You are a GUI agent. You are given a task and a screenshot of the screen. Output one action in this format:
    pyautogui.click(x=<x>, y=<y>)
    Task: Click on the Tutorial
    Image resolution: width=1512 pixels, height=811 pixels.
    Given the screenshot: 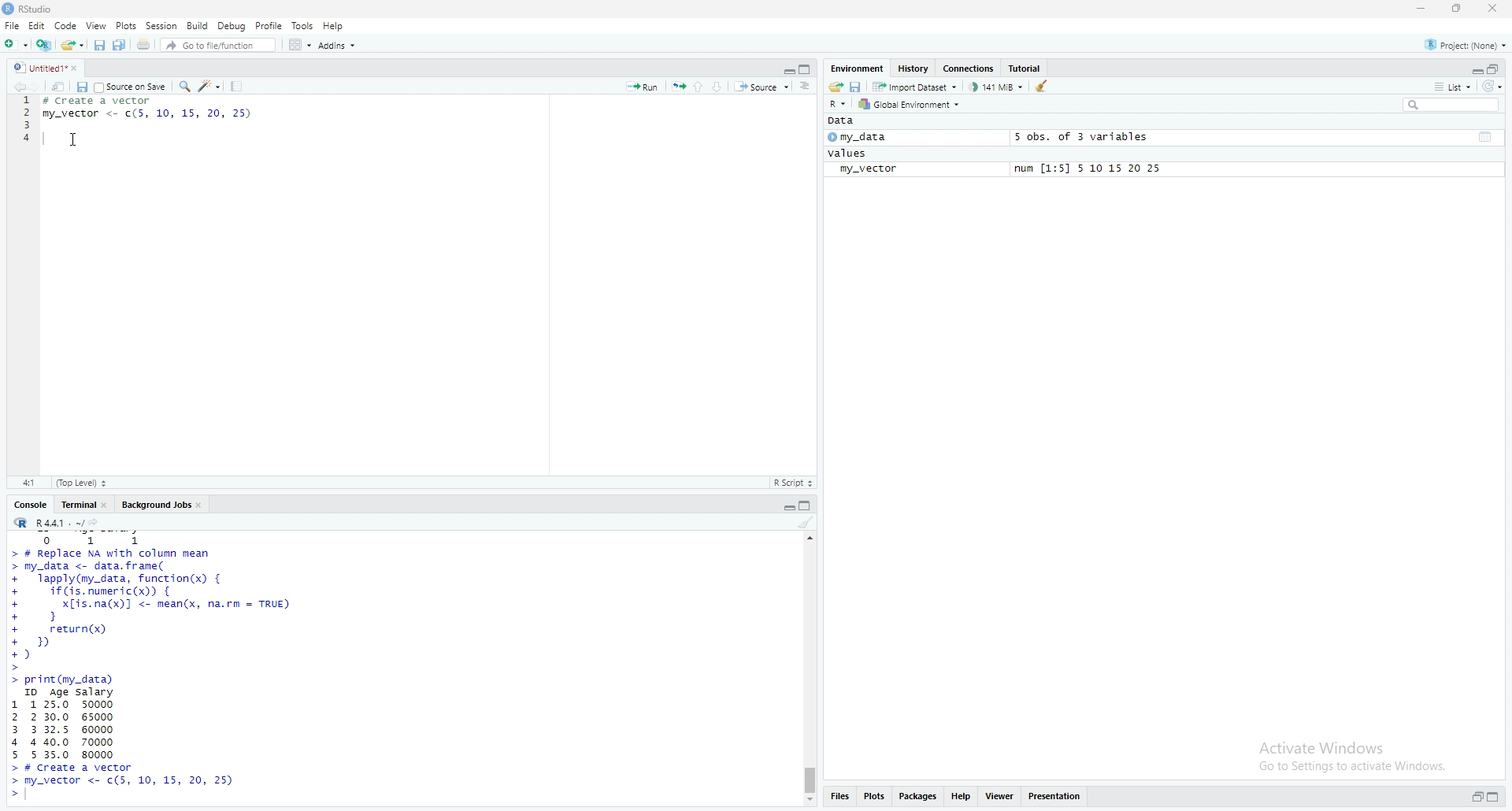 What is the action you would take?
    pyautogui.click(x=1027, y=67)
    